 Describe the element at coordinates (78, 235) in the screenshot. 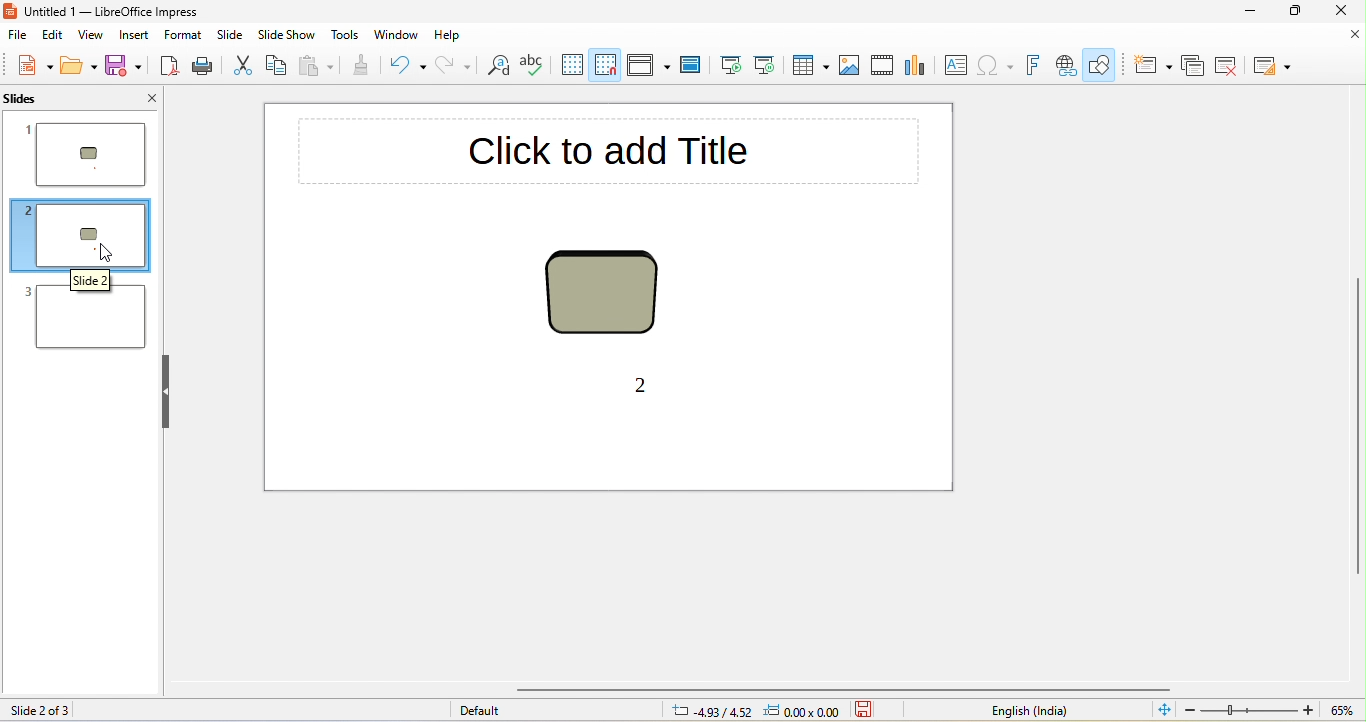

I see `select slide 2` at that location.